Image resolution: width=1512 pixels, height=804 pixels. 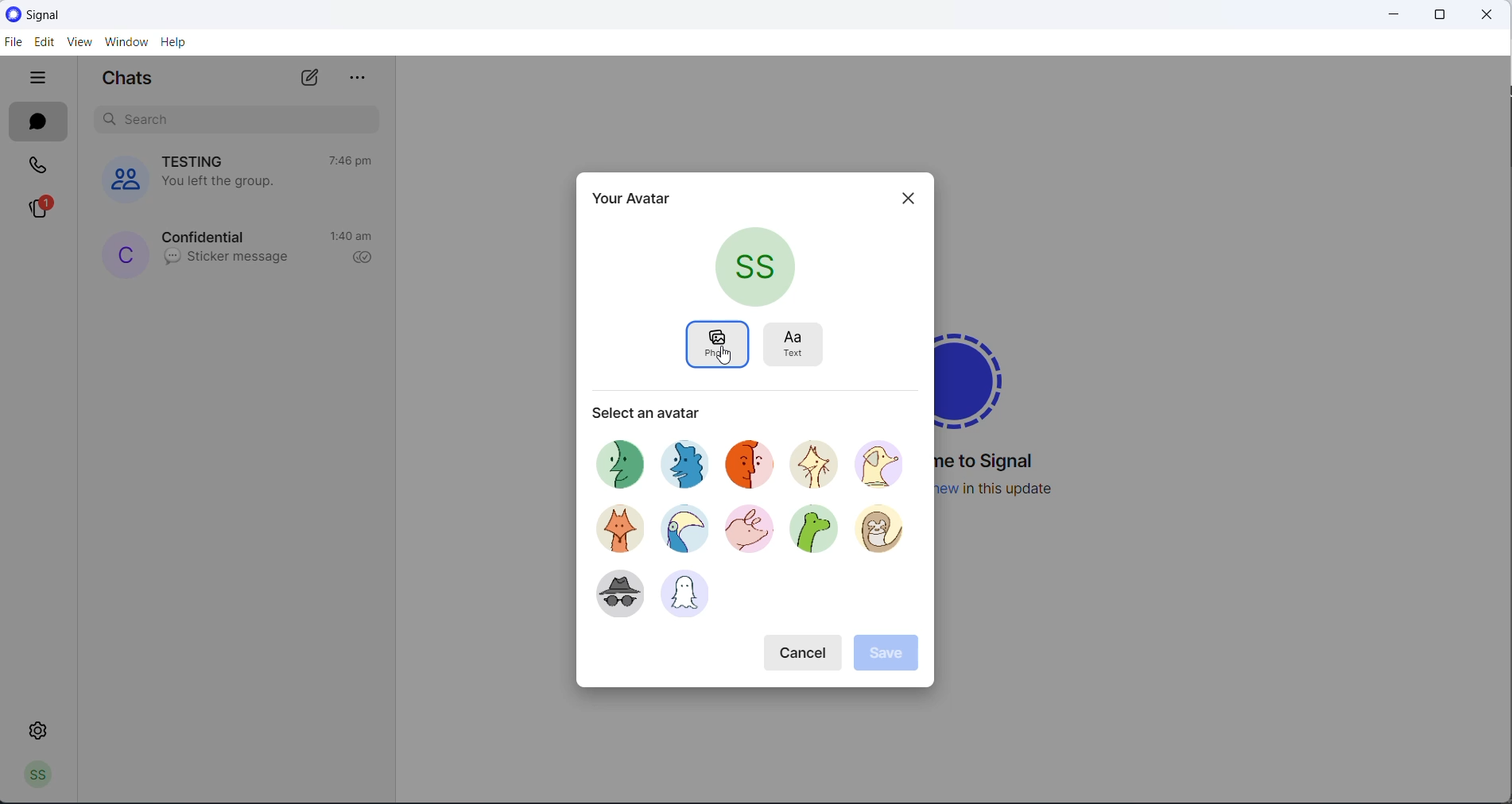 What do you see at coordinates (366, 258) in the screenshot?
I see `read recipient` at bounding box center [366, 258].